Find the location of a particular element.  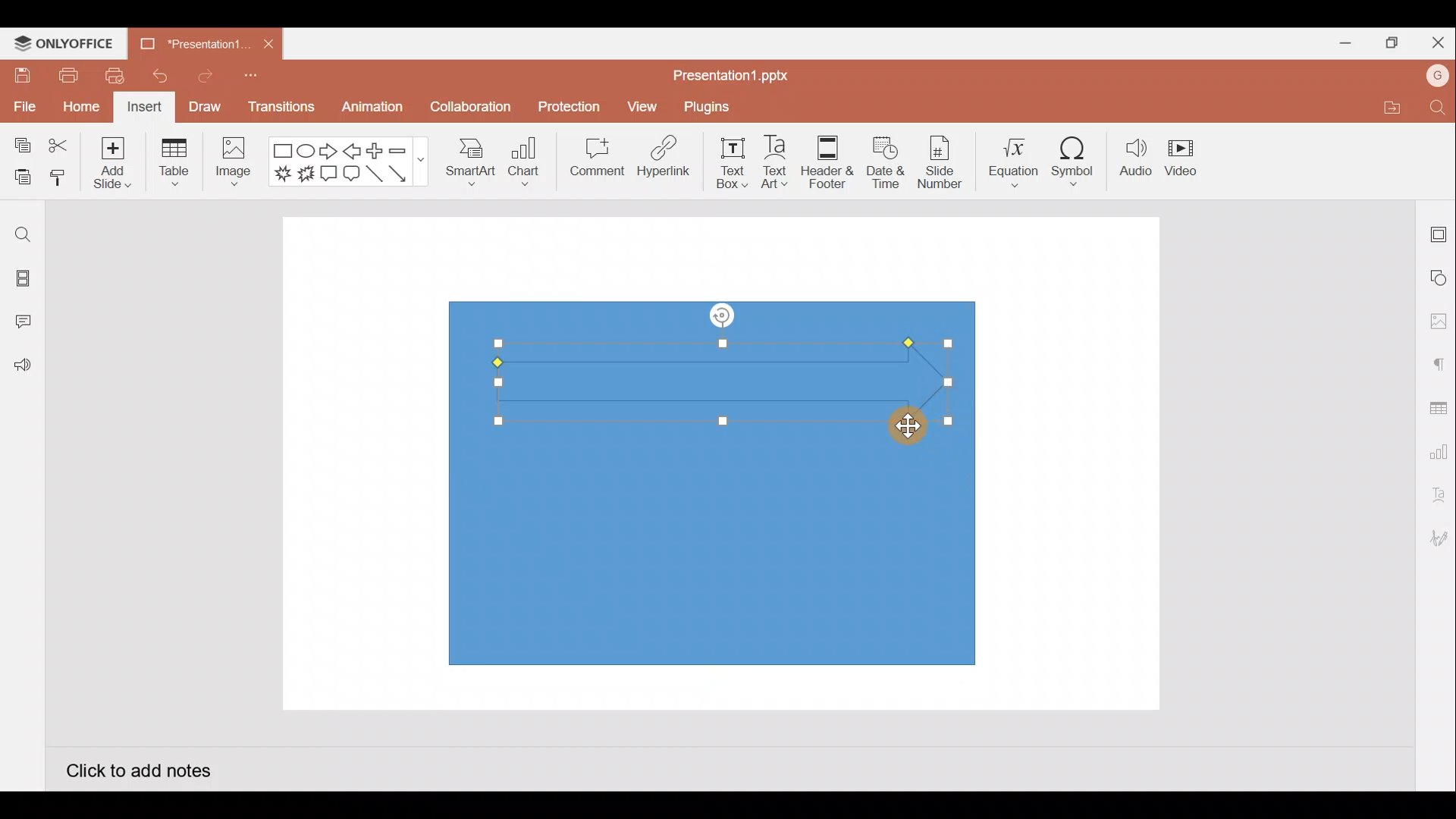

Presentation1. is located at coordinates (190, 41).